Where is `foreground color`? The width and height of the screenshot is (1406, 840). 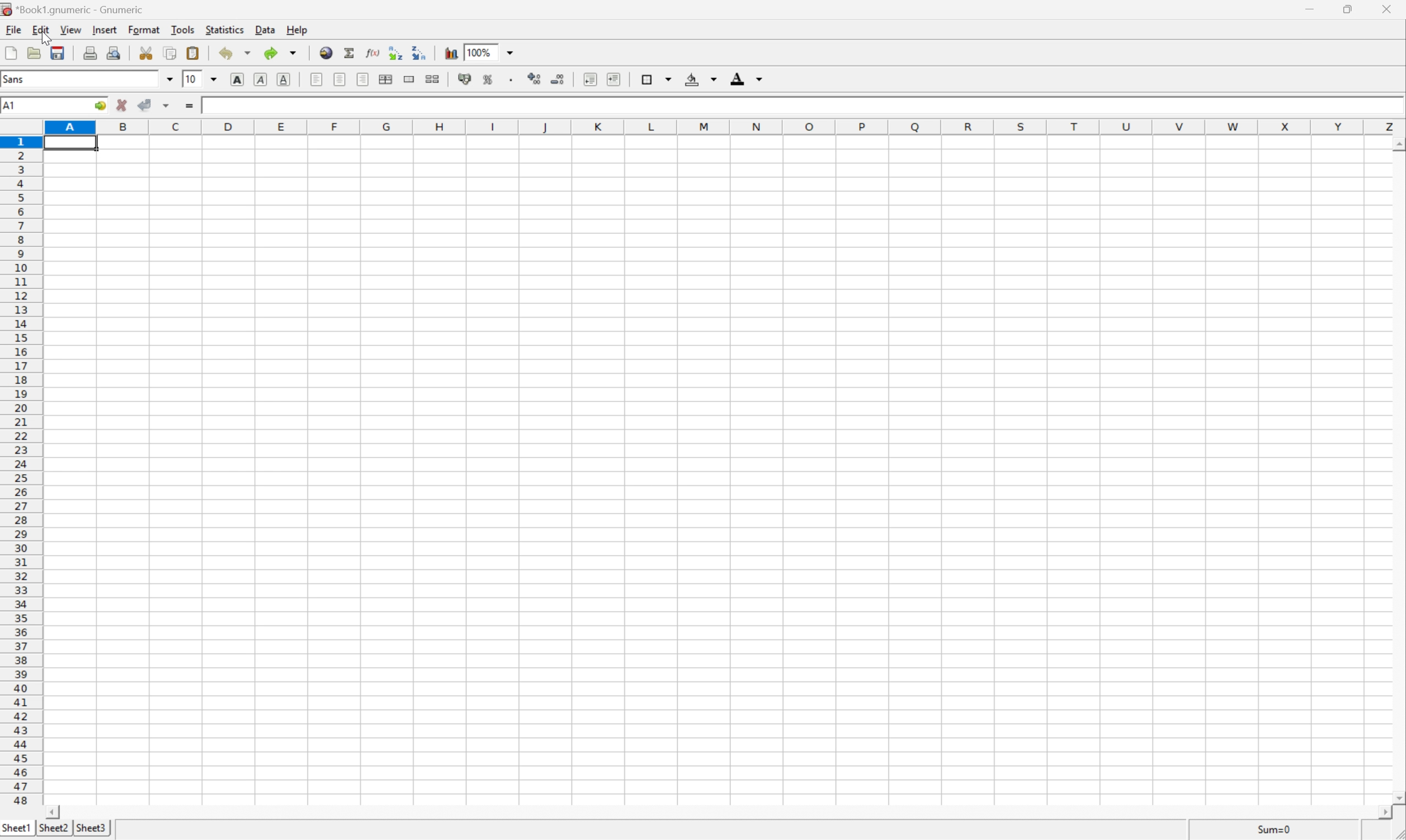 foreground color is located at coordinates (746, 78).